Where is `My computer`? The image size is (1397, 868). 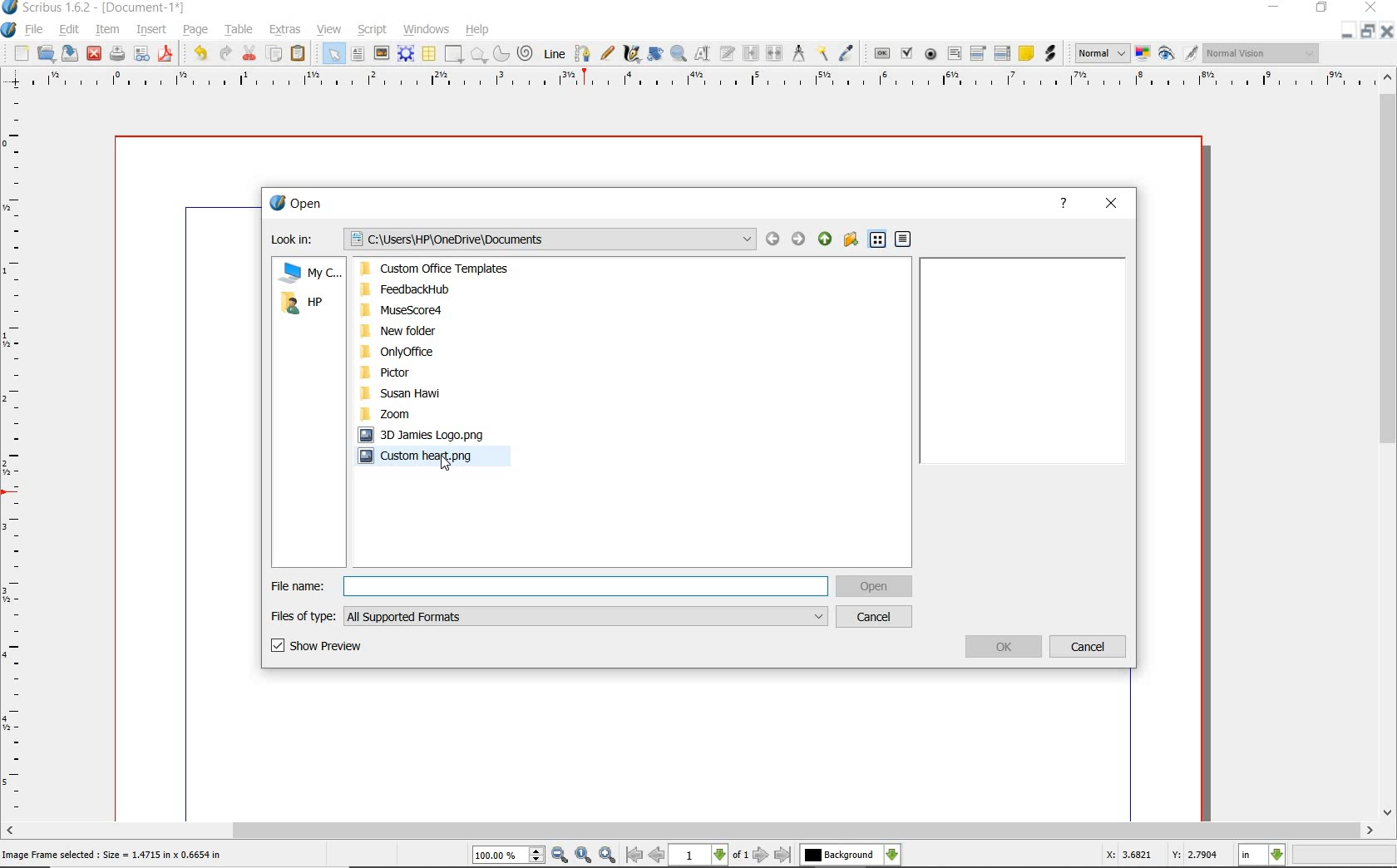
My computer is located at coordinates (310, 272).